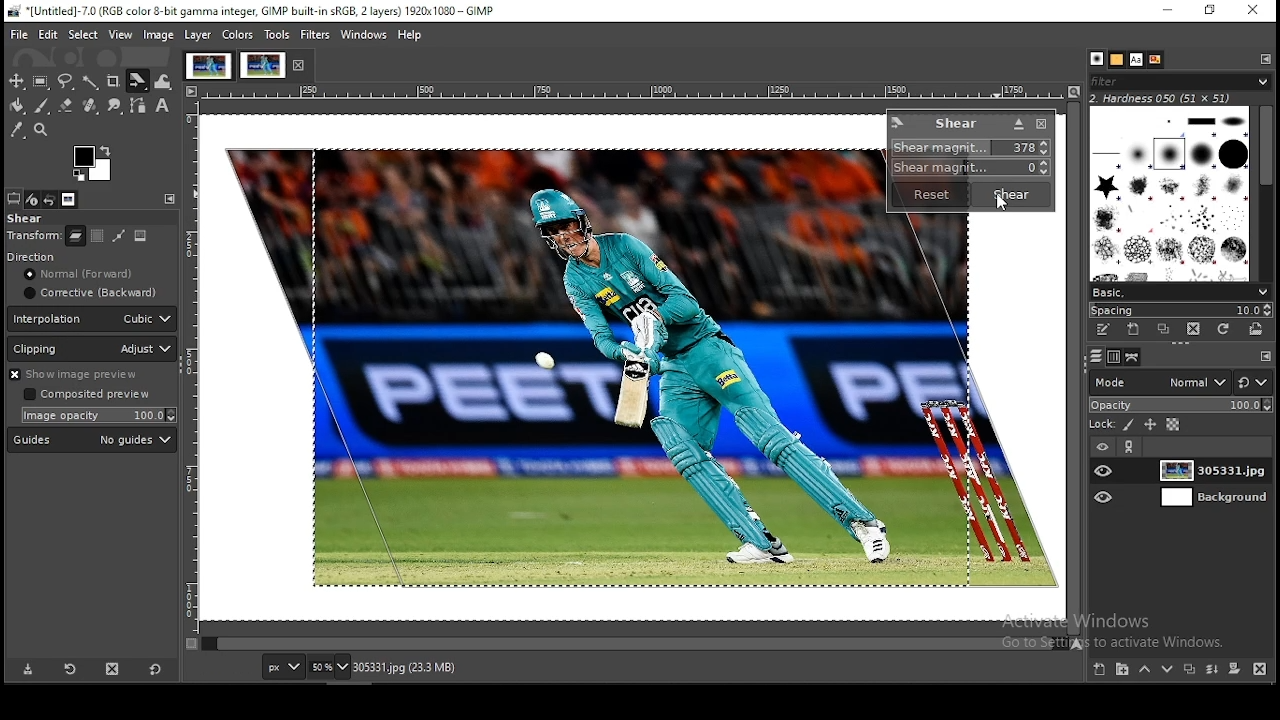  What do you see at coordinates (1018, 124) in the screenshot?
I see `` at bounding box center [1018, 124].